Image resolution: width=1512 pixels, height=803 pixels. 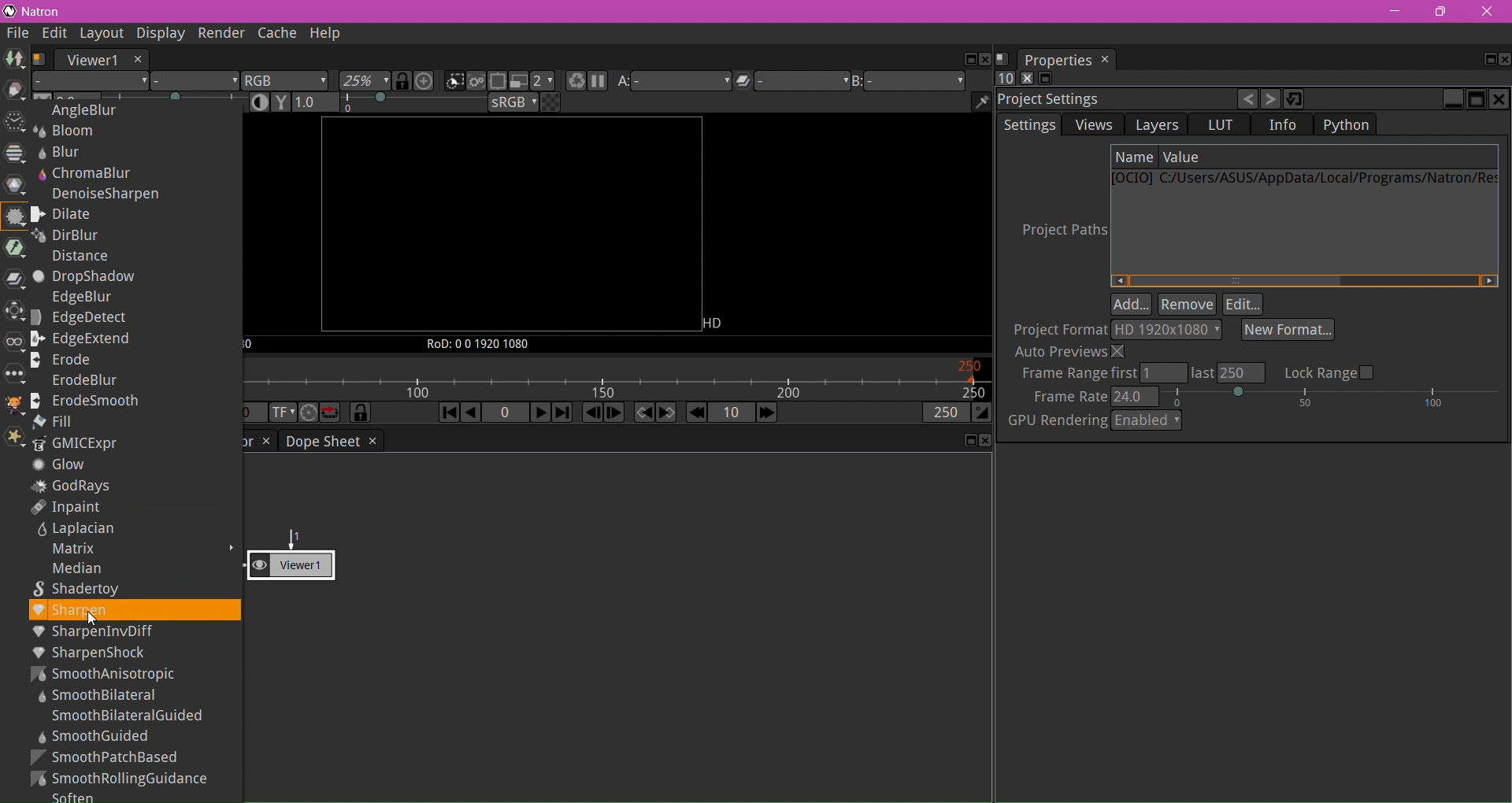 I want to click on Edit, so click(x=1243, y=305).